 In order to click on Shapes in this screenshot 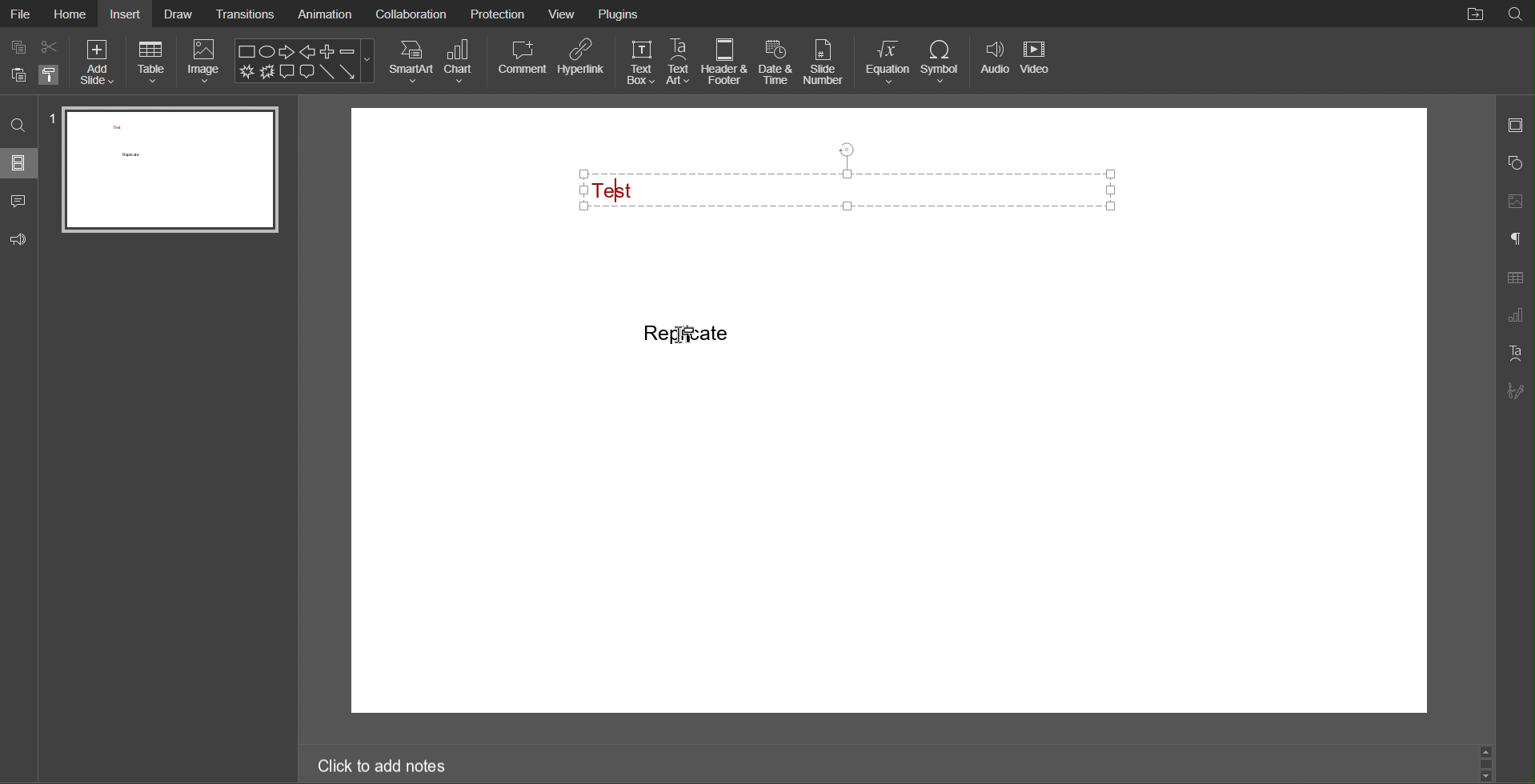, I will do `click(1516, 161)`.